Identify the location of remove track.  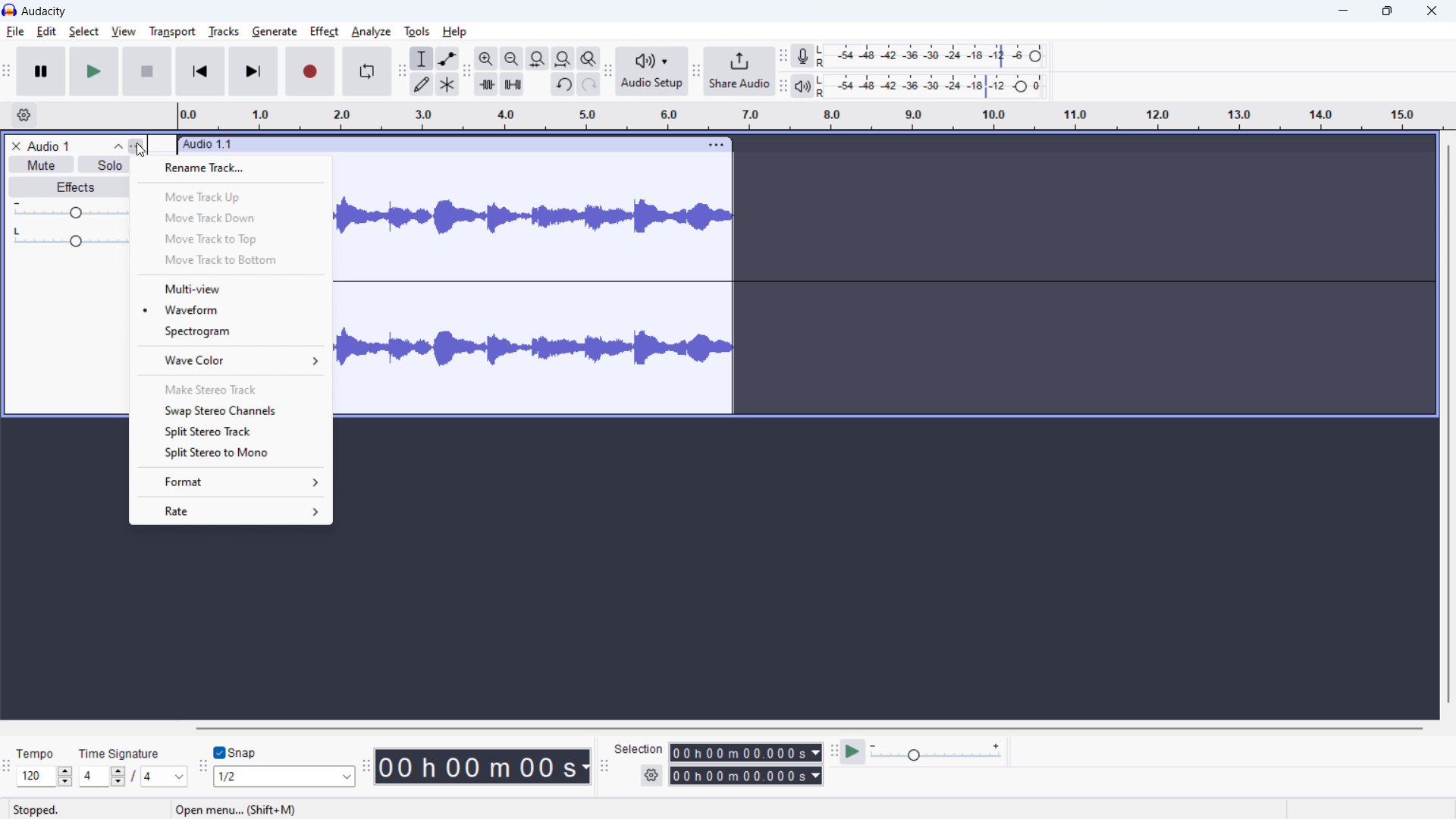
(16, 146).